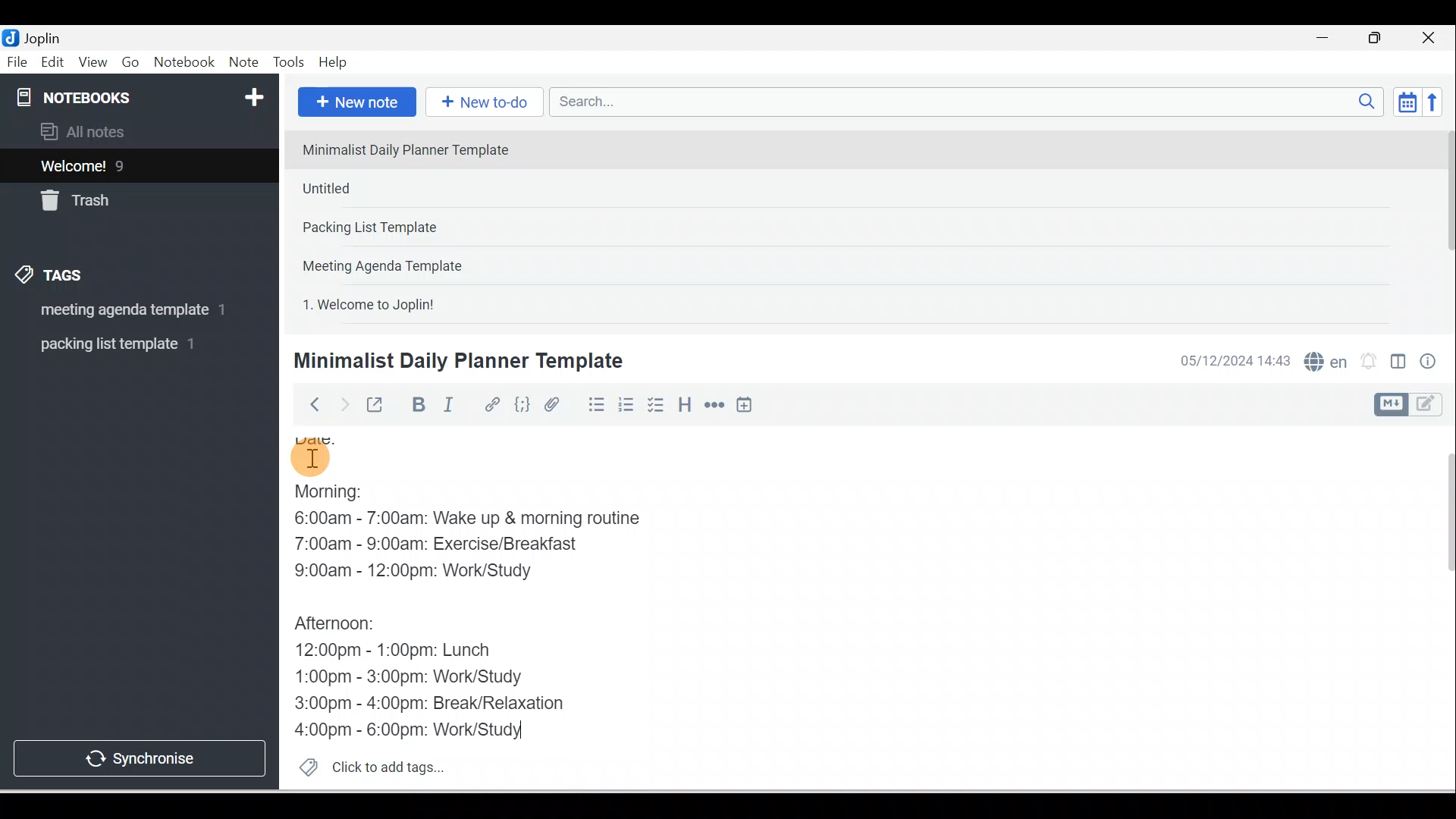 The width and height of the screenshot is (1456, 819). I want to click on Go, so click(133, 63).